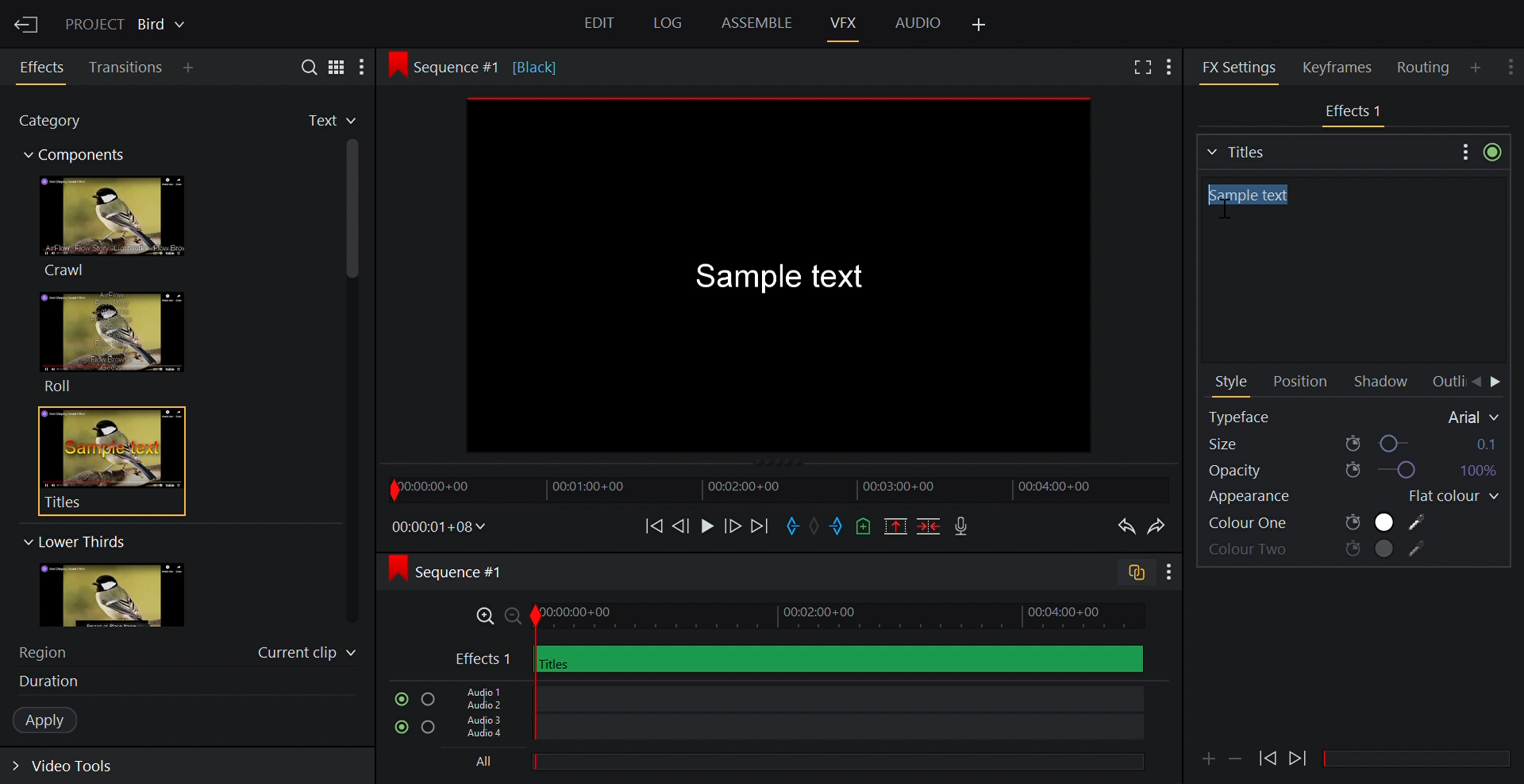  Describe the element at coordinates (1319, 551) in the screenshot. I see `Color two` at that location.